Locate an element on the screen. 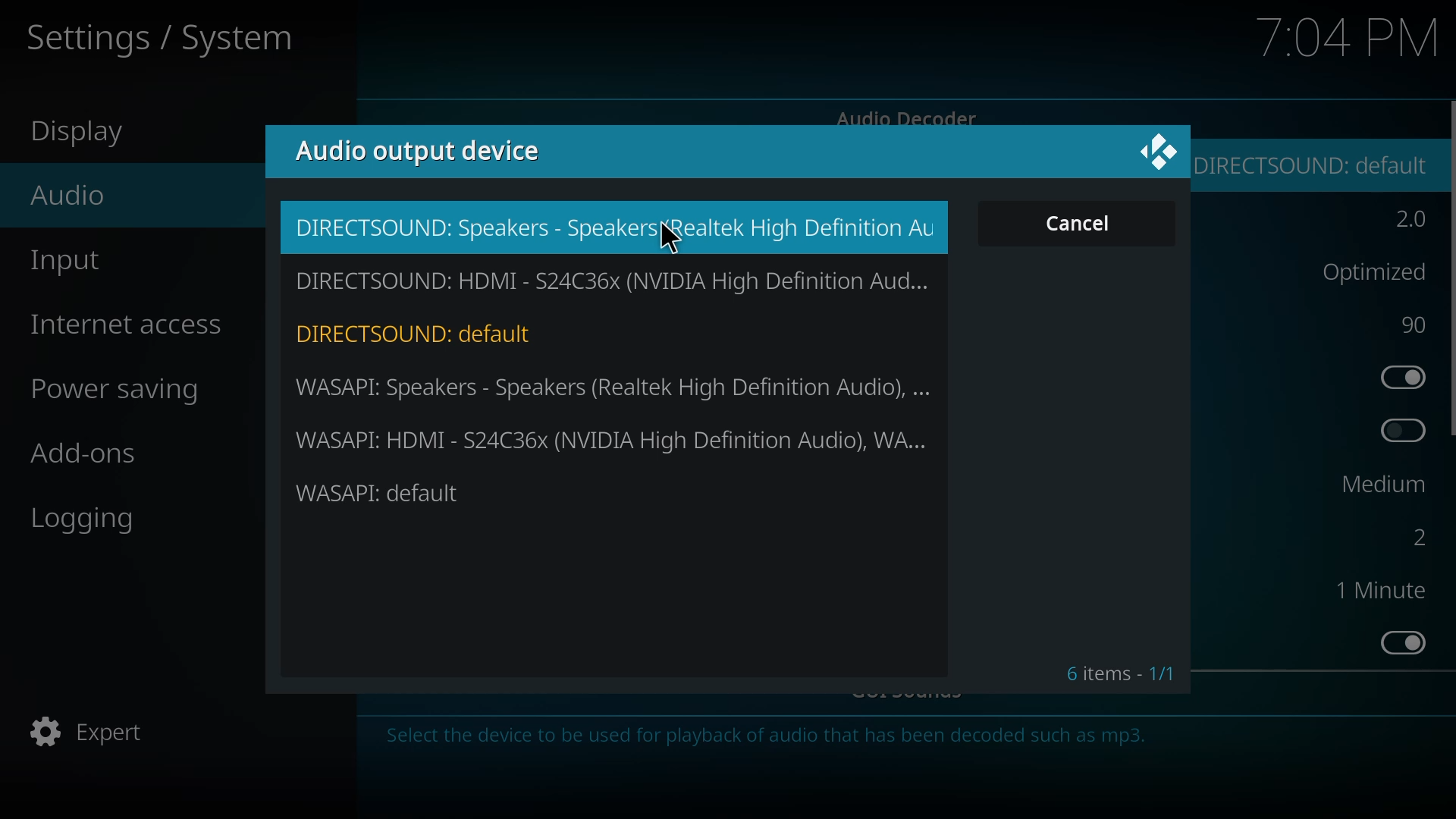  display is located at coordinates (87, 133).